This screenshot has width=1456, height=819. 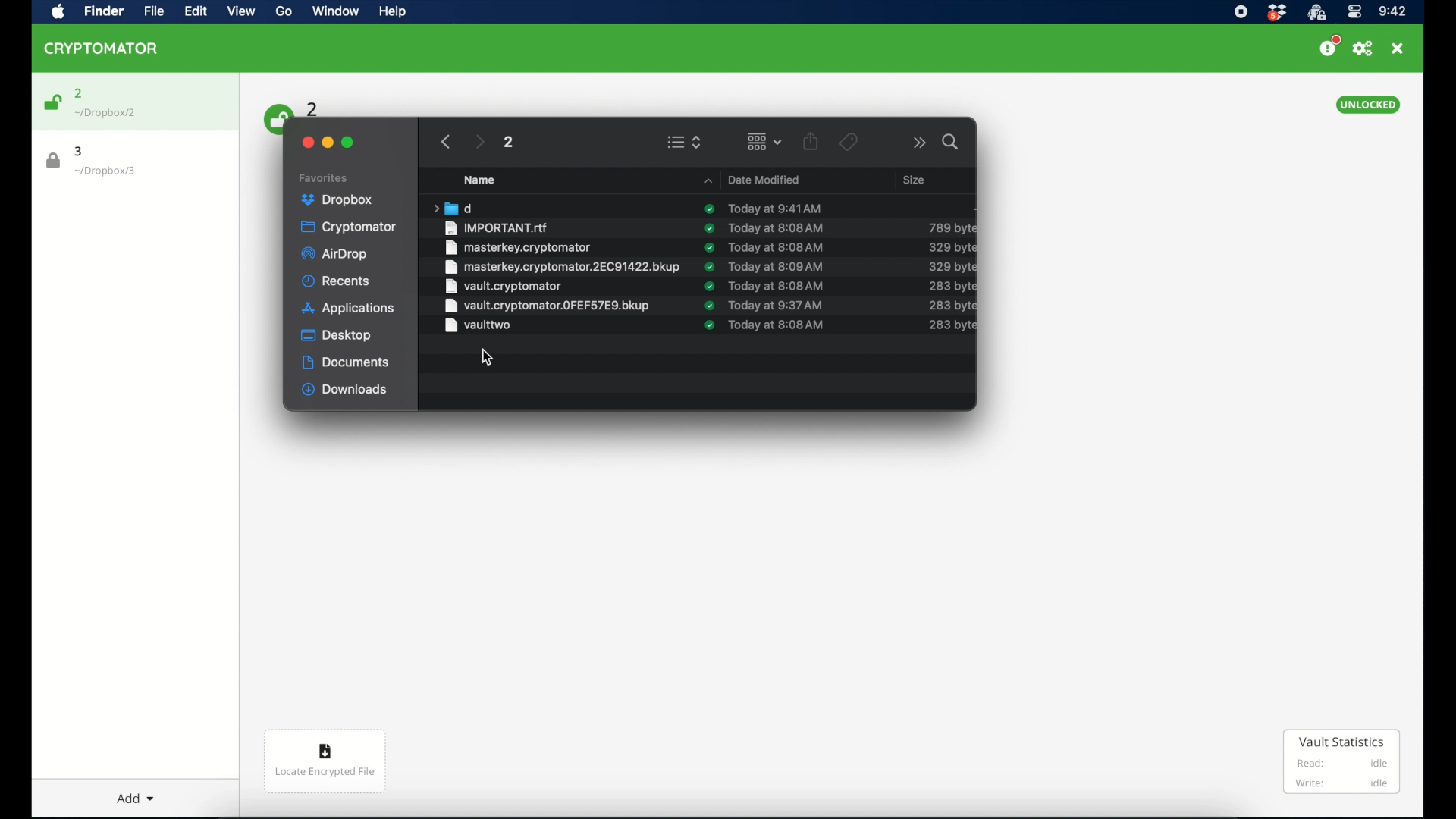 What do you see at coordinates (241, 11) in the screenshot?
I see `view` at bounding box center [241, 11].